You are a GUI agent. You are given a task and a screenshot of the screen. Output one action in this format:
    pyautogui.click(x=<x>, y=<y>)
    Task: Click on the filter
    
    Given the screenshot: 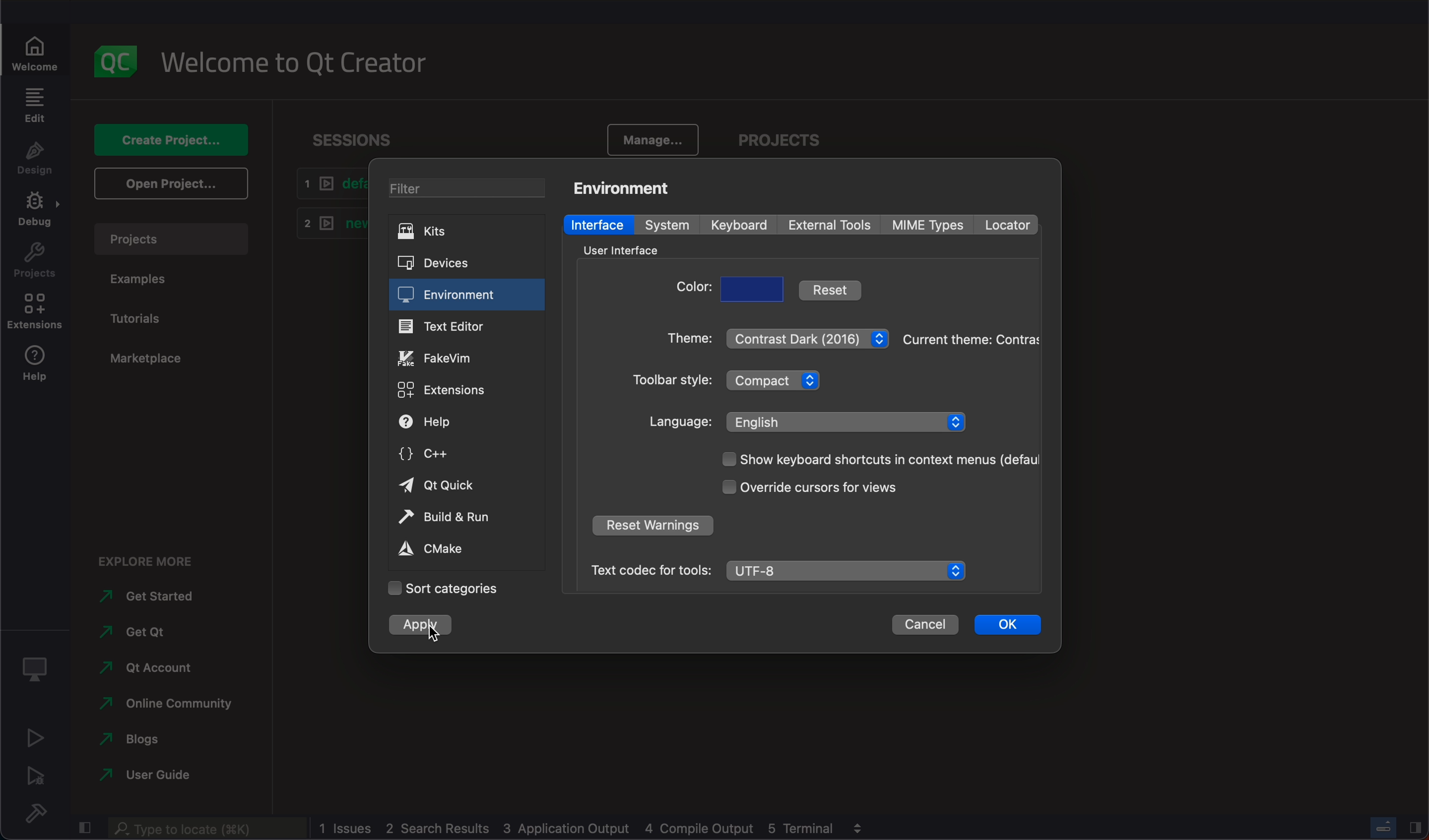 What is the action you would take?
    pyautogui.click(x=467, y=188)
    